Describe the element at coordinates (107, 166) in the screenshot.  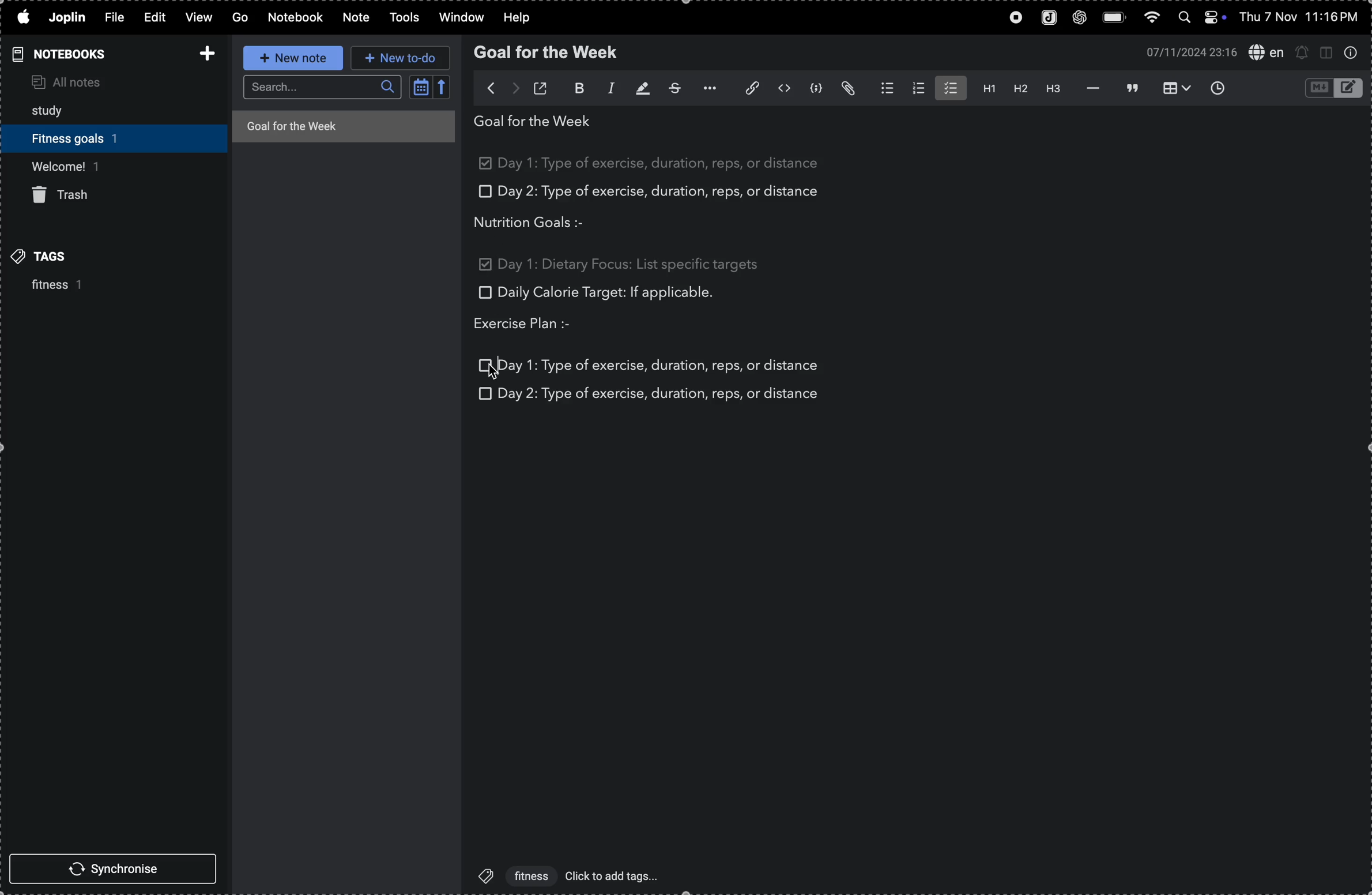
I see `welcome 1` at that location.